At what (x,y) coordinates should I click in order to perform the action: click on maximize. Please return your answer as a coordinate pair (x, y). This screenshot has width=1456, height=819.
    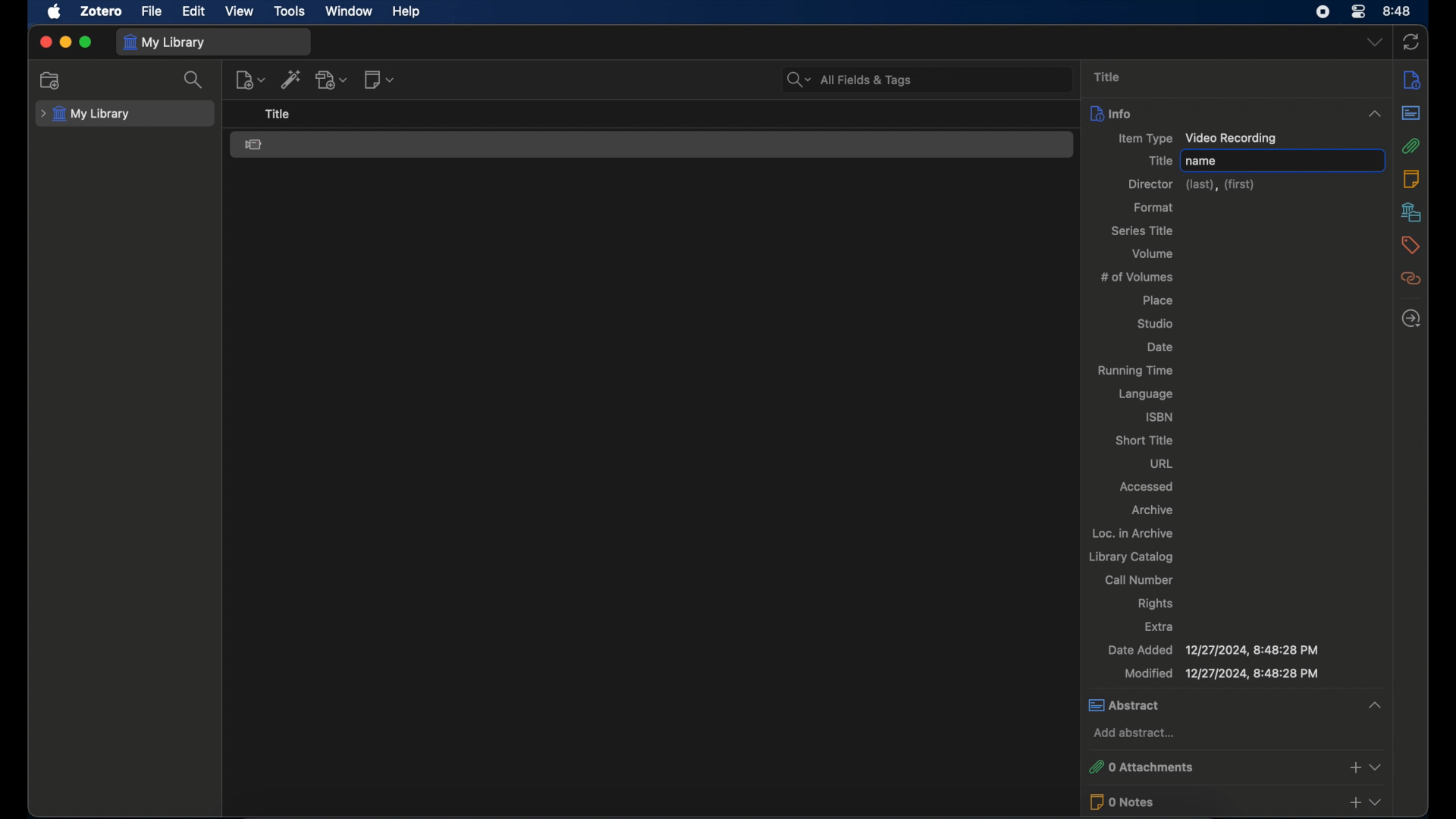
    Looking at the image, I should click on (86, 42).